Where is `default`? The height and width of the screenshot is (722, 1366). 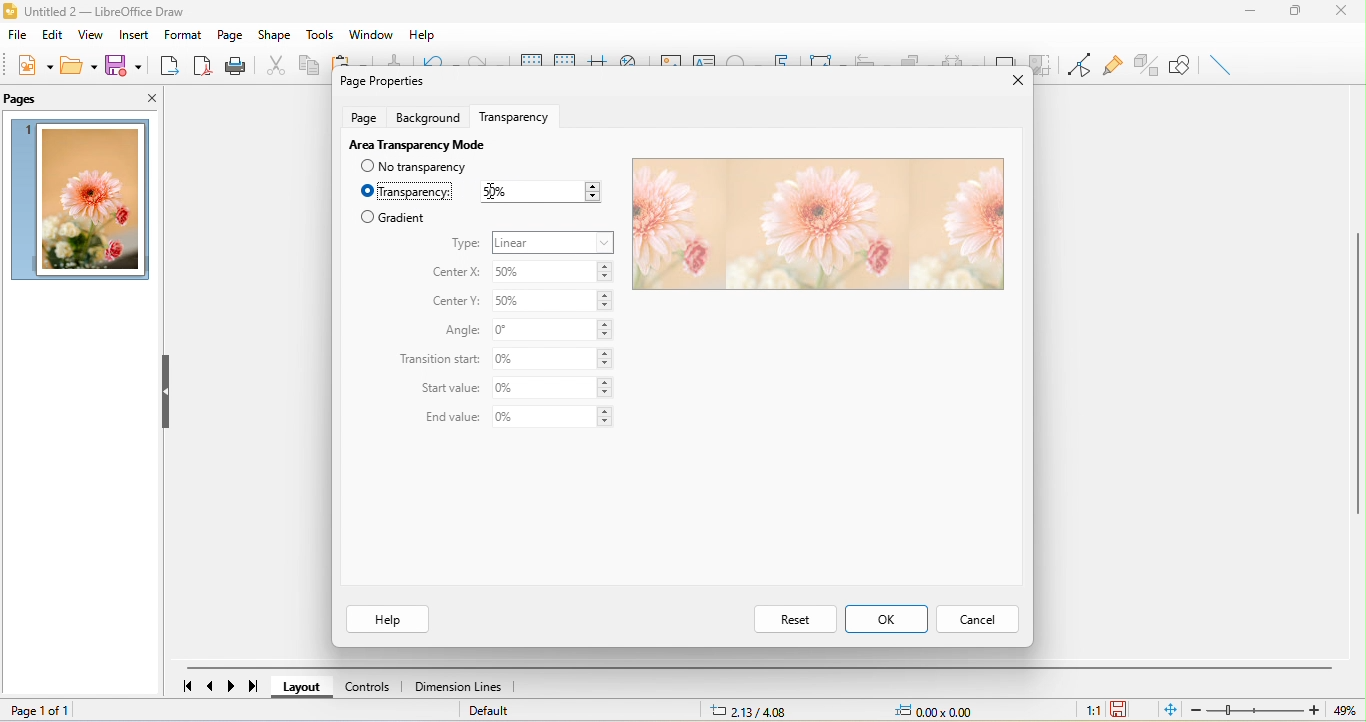
default is located at coordinates (491, 711).